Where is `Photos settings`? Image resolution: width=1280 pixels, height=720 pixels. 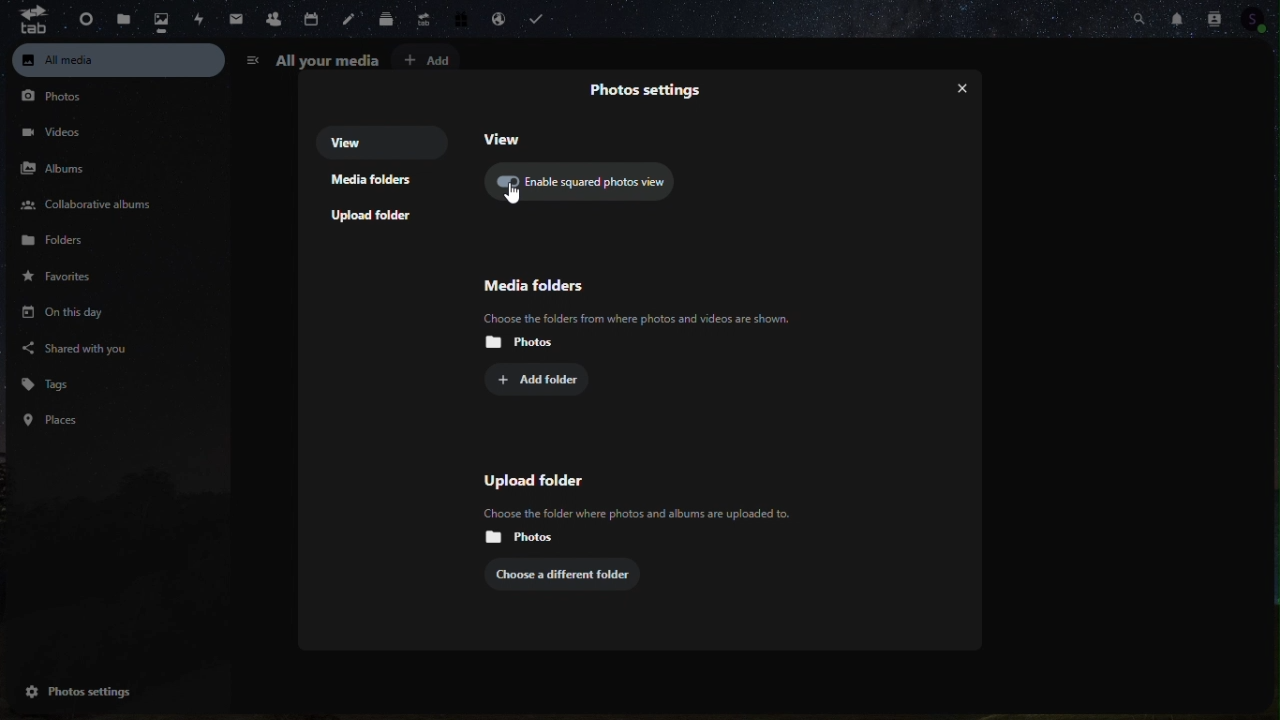
Photos settings is located at coordinates (94, 691).